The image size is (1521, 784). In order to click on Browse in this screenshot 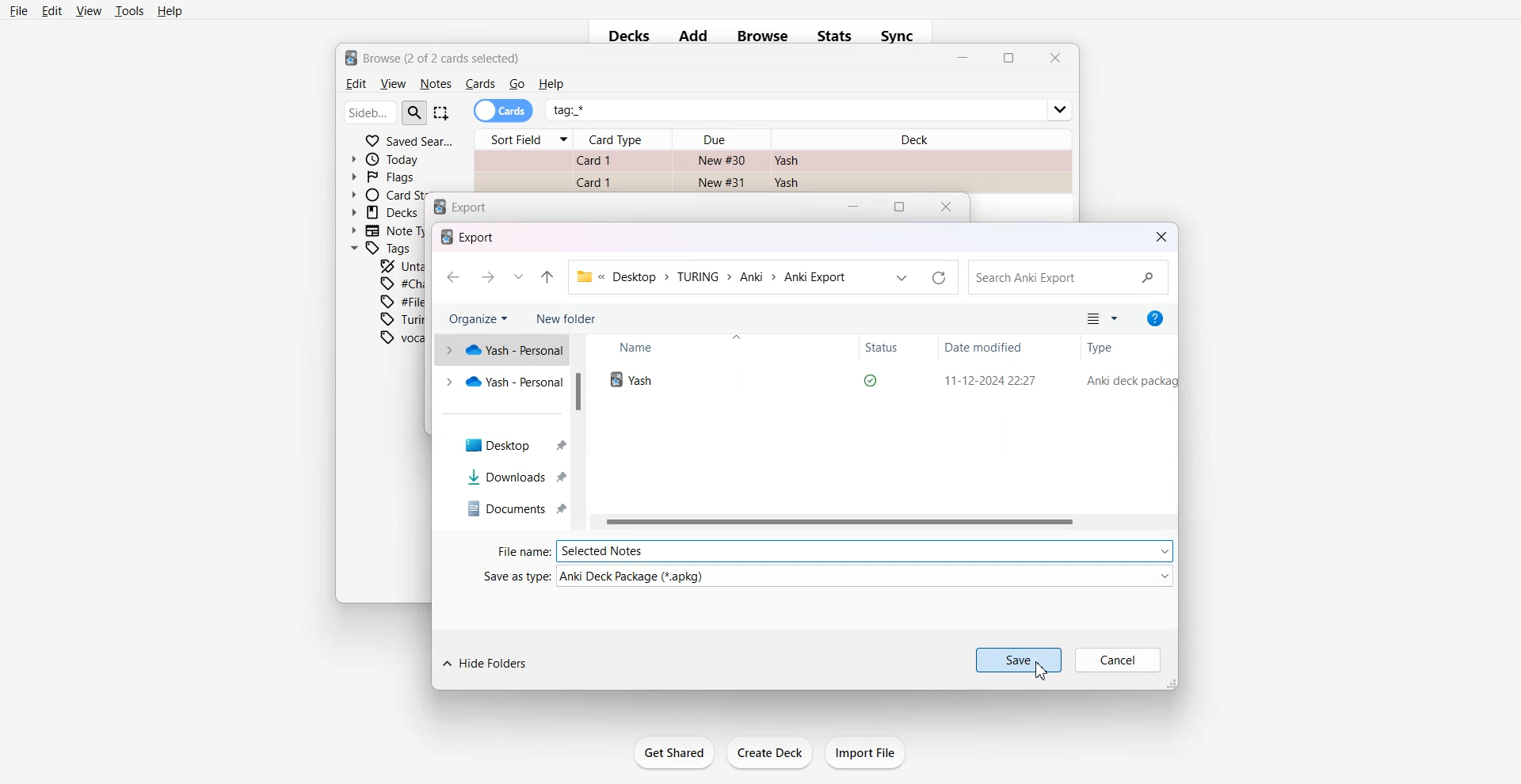, I will do `click(762, 36)`.